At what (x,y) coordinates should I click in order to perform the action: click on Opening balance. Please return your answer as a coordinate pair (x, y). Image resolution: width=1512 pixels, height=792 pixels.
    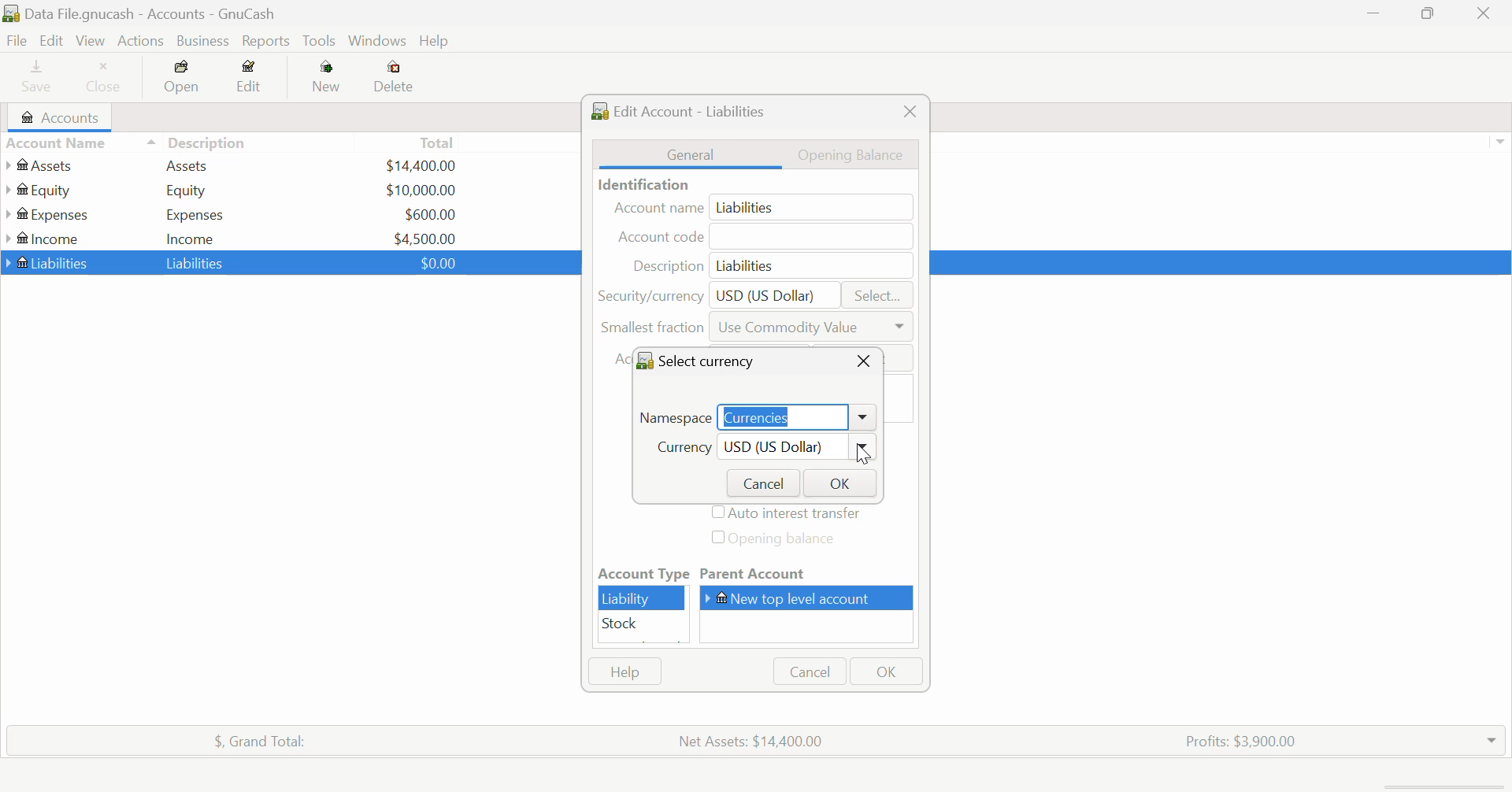
    Looking at the image, I should click on (787, 540).